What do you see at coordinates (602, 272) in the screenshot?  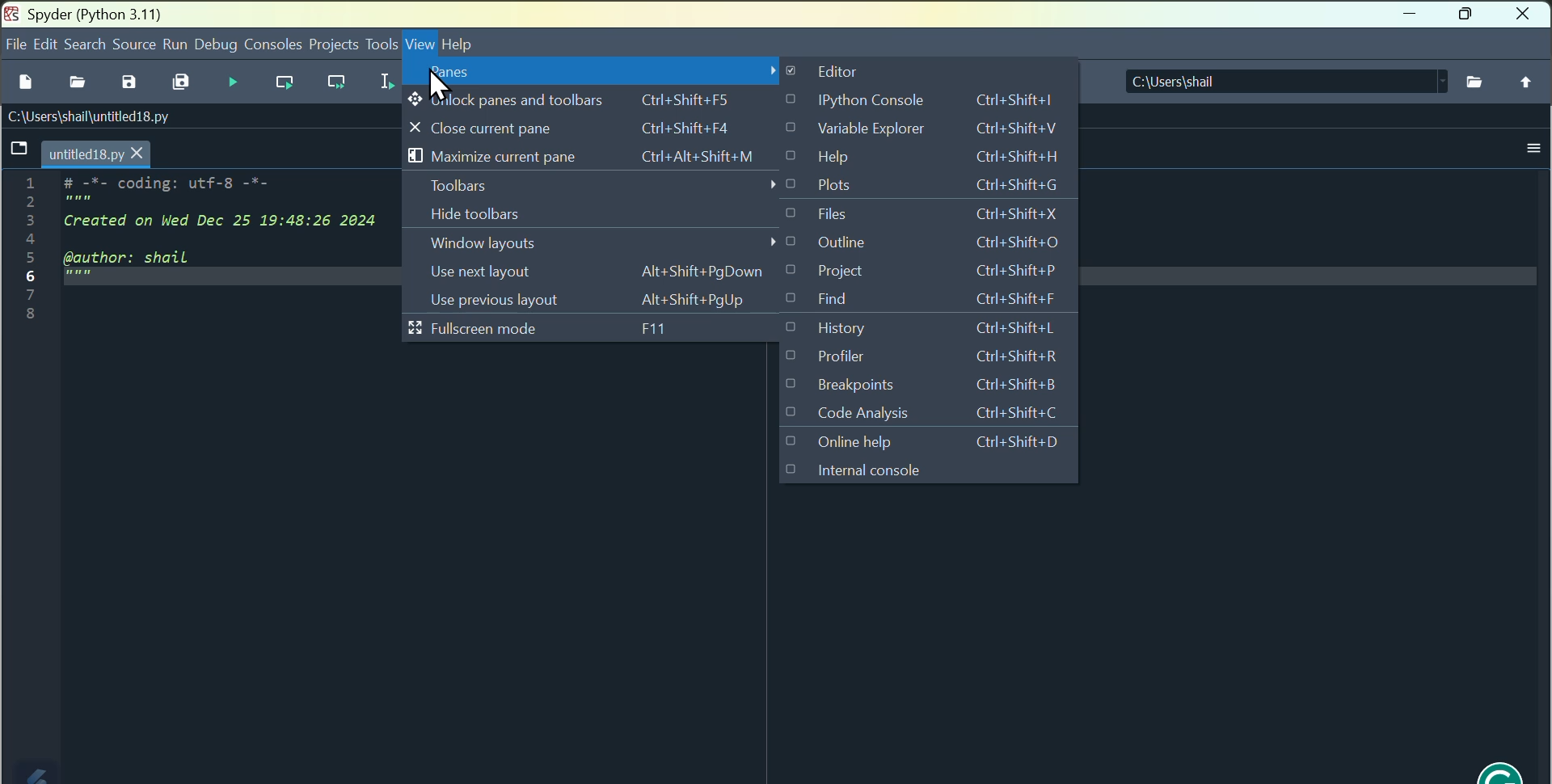 I see `Use next layout` at bounding box center [602, 272].